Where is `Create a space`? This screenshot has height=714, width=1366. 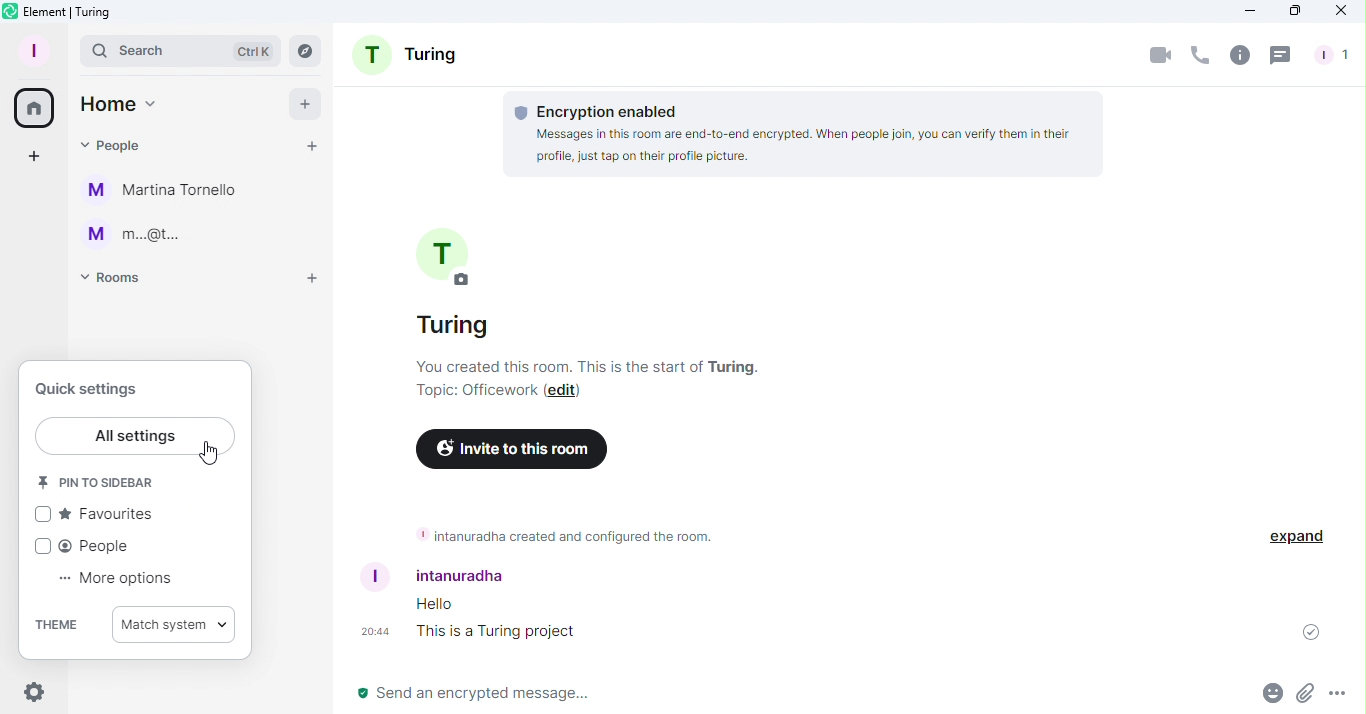 Create a space is located at coordinates (33, 157).